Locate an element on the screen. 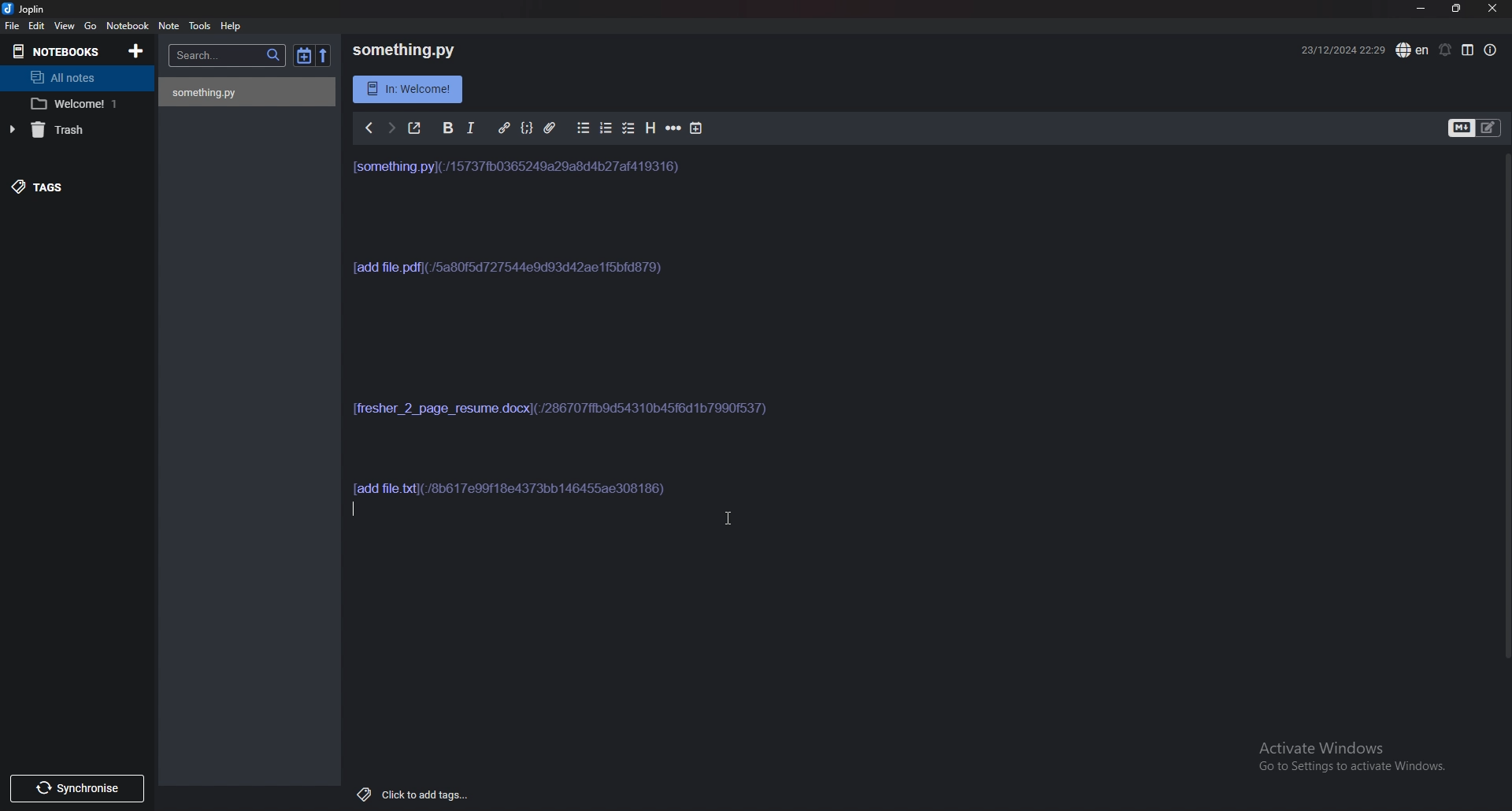  joplin logo is located at coordinates (9, 8).